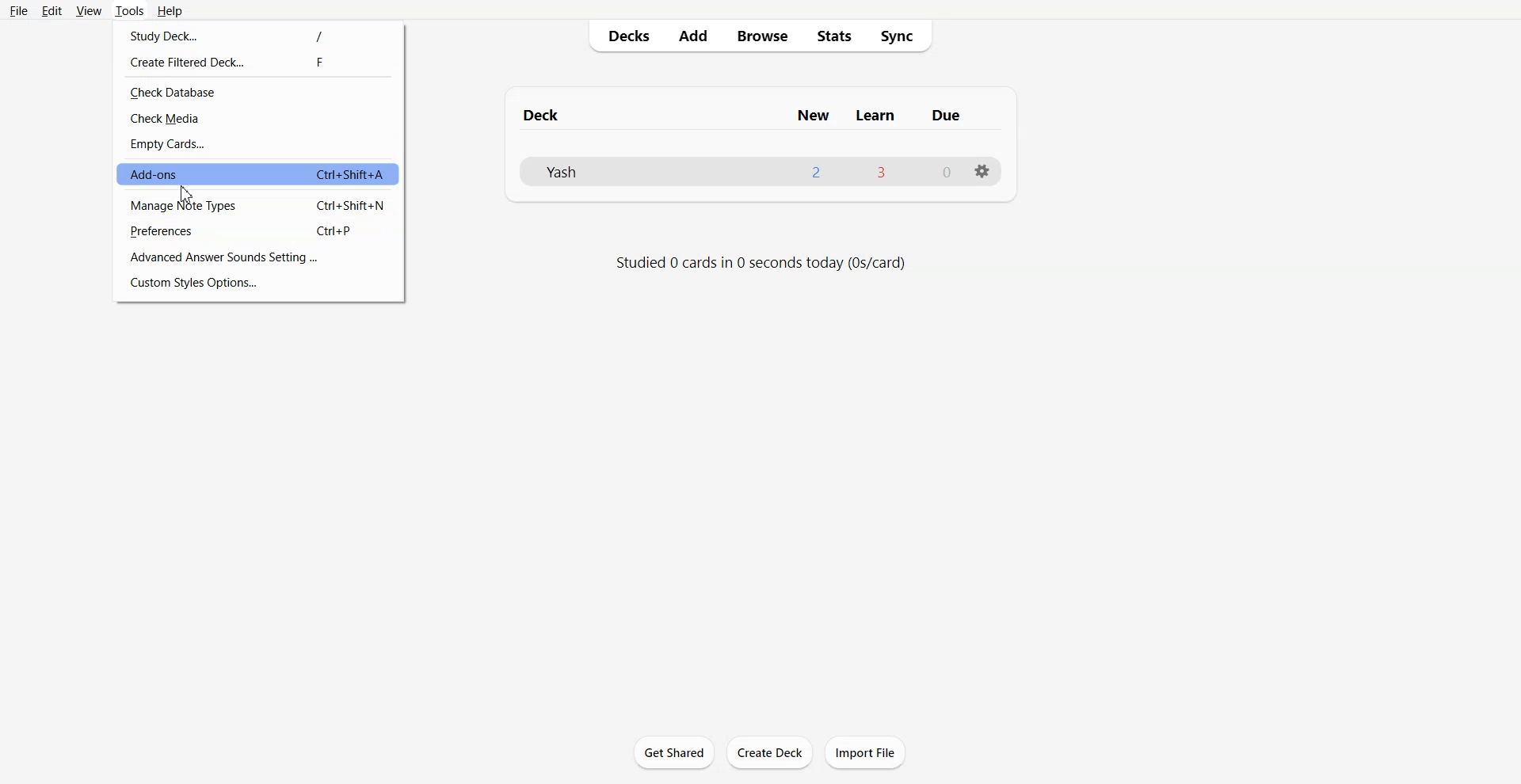 Image resolution: width=1521 pixels, height=784 pixels. Describe the element at coordinates (260, 231) in the screenshot. I see `Preferences` at that location.